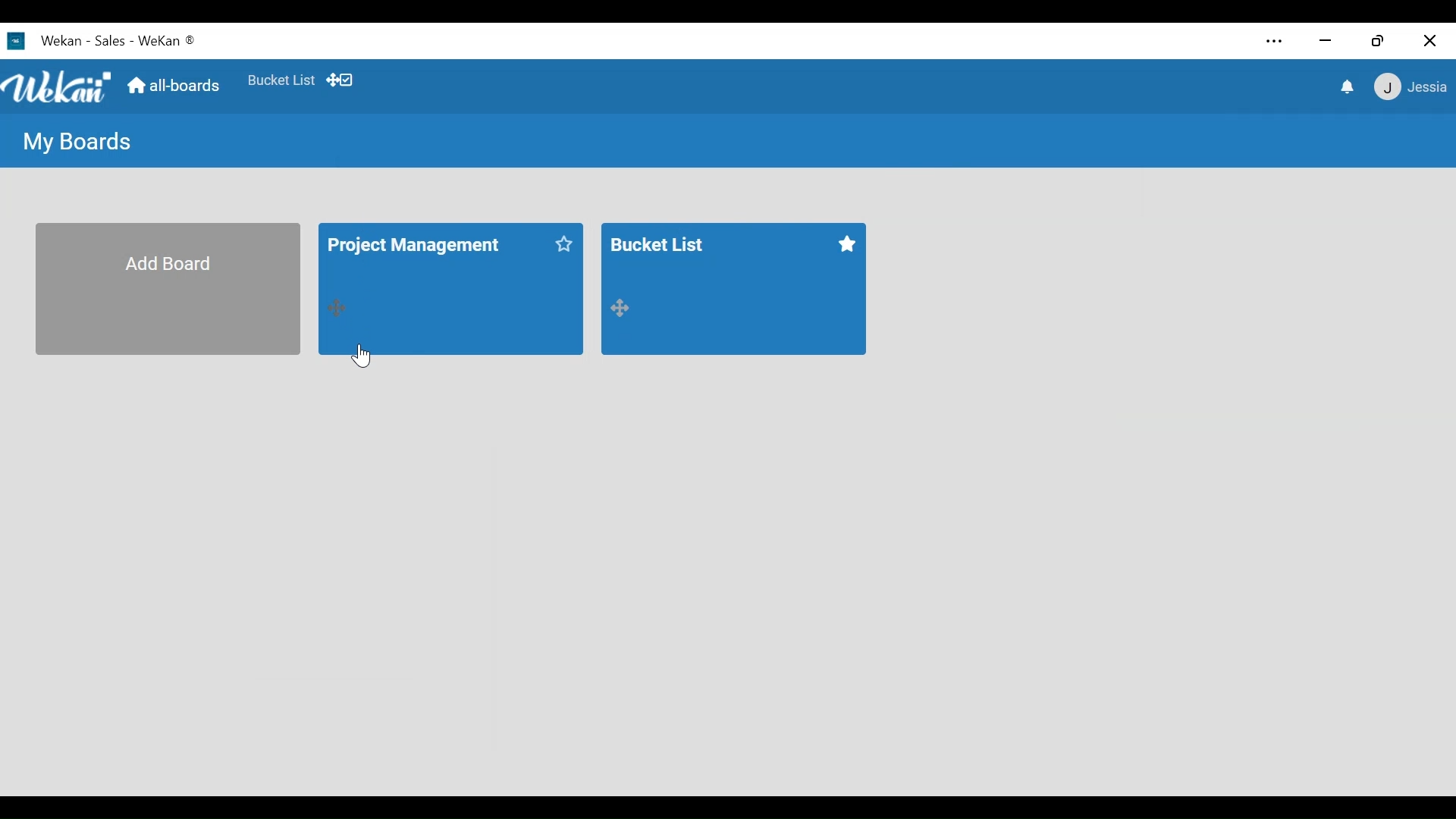 Image resolution: width=1456 pixels, height=819 pixels. Describe the element at coordinates (347, 80) in the screenshot. I see `dekstop drag bar` at that location.